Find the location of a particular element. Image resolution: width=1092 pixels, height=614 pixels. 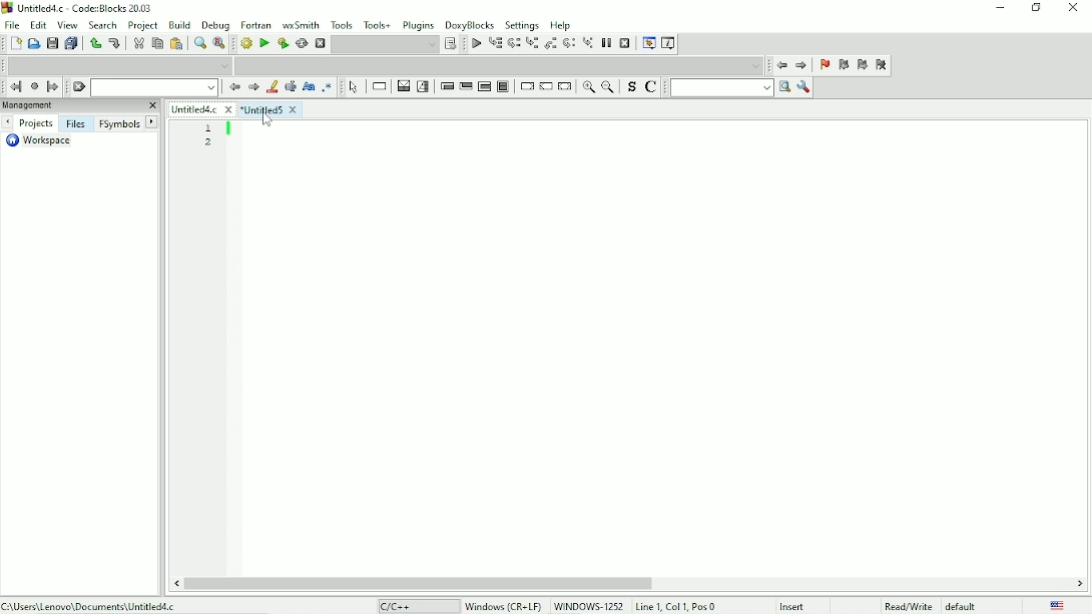

Use regex is located at coordinates (327, 89).